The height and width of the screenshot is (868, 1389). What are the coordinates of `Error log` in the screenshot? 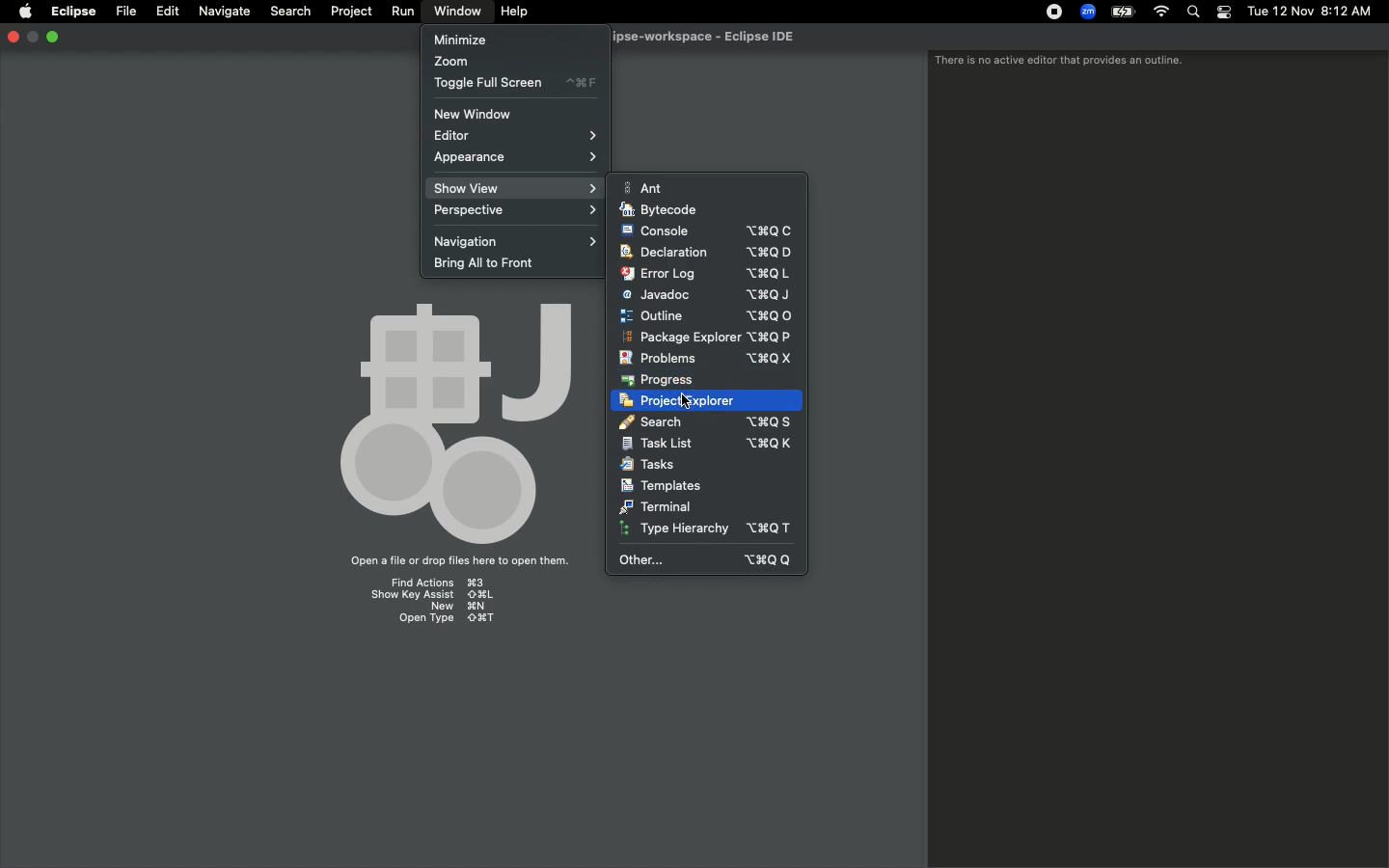 It's located at (708, 274).